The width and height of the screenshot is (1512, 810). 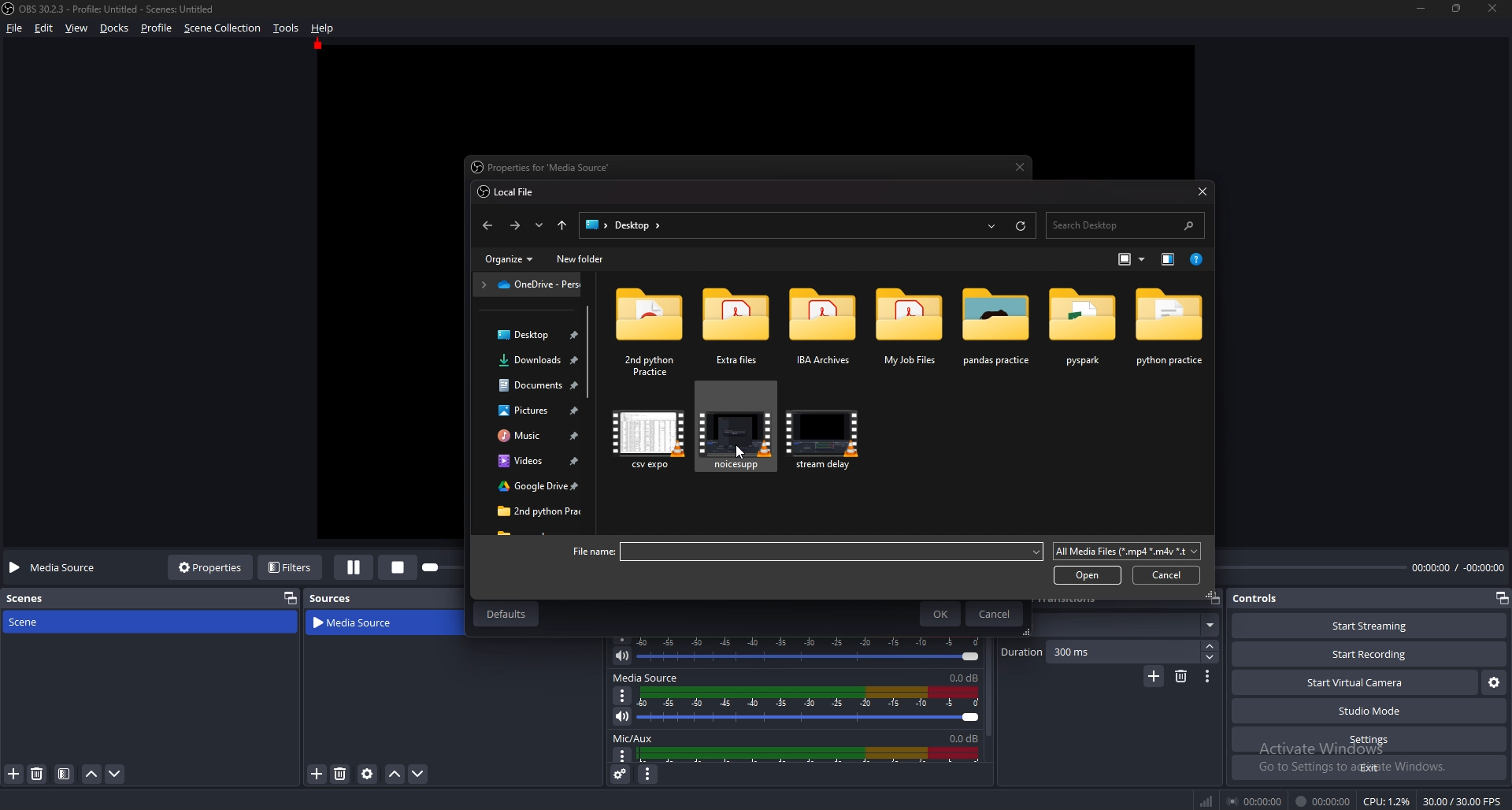 I want to click on pause, so click(x=354, y=567).